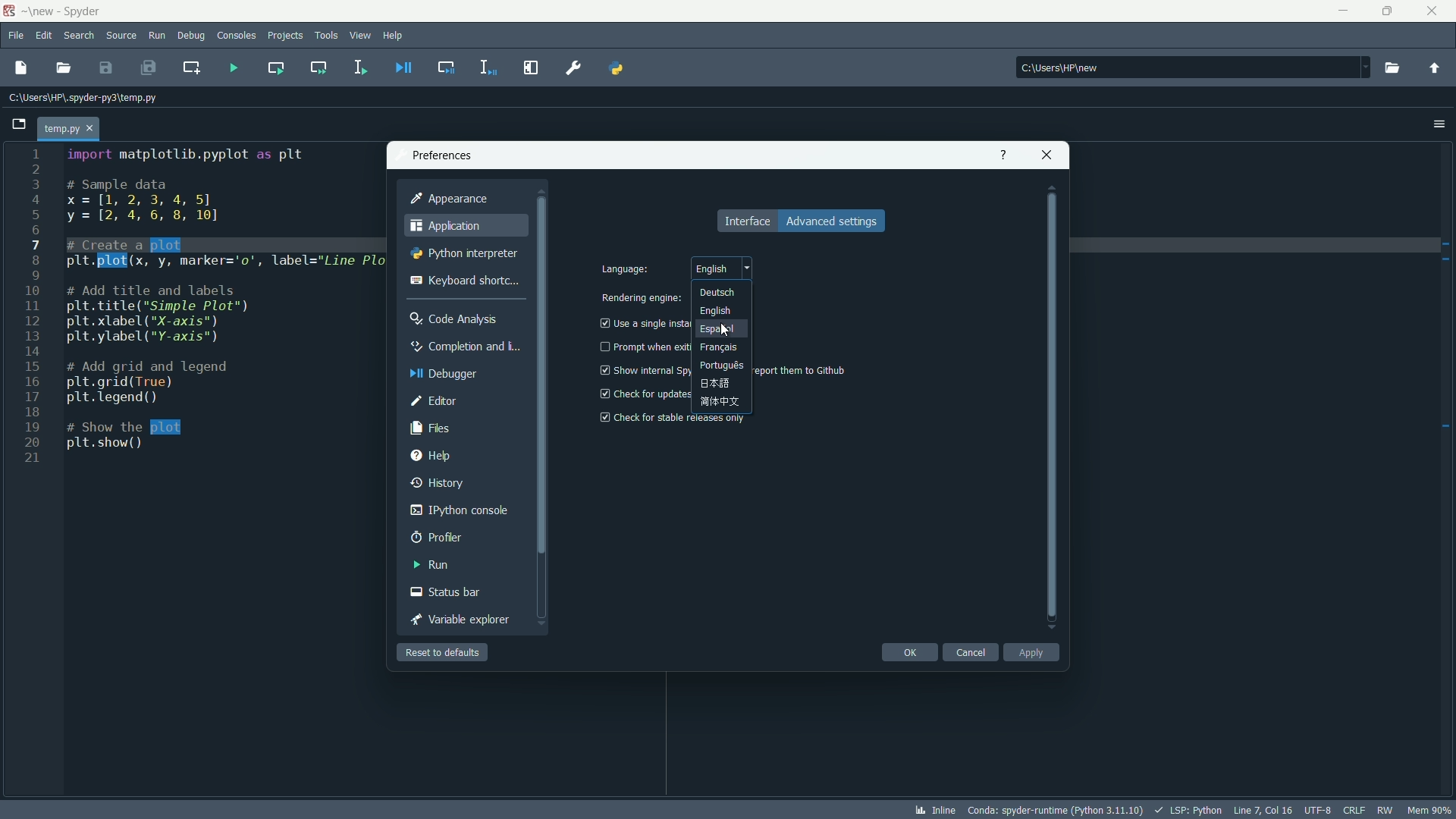 This screenshot has width=1456, height=819. I want to click on run current cell and go to the next one, so click(318, 67).